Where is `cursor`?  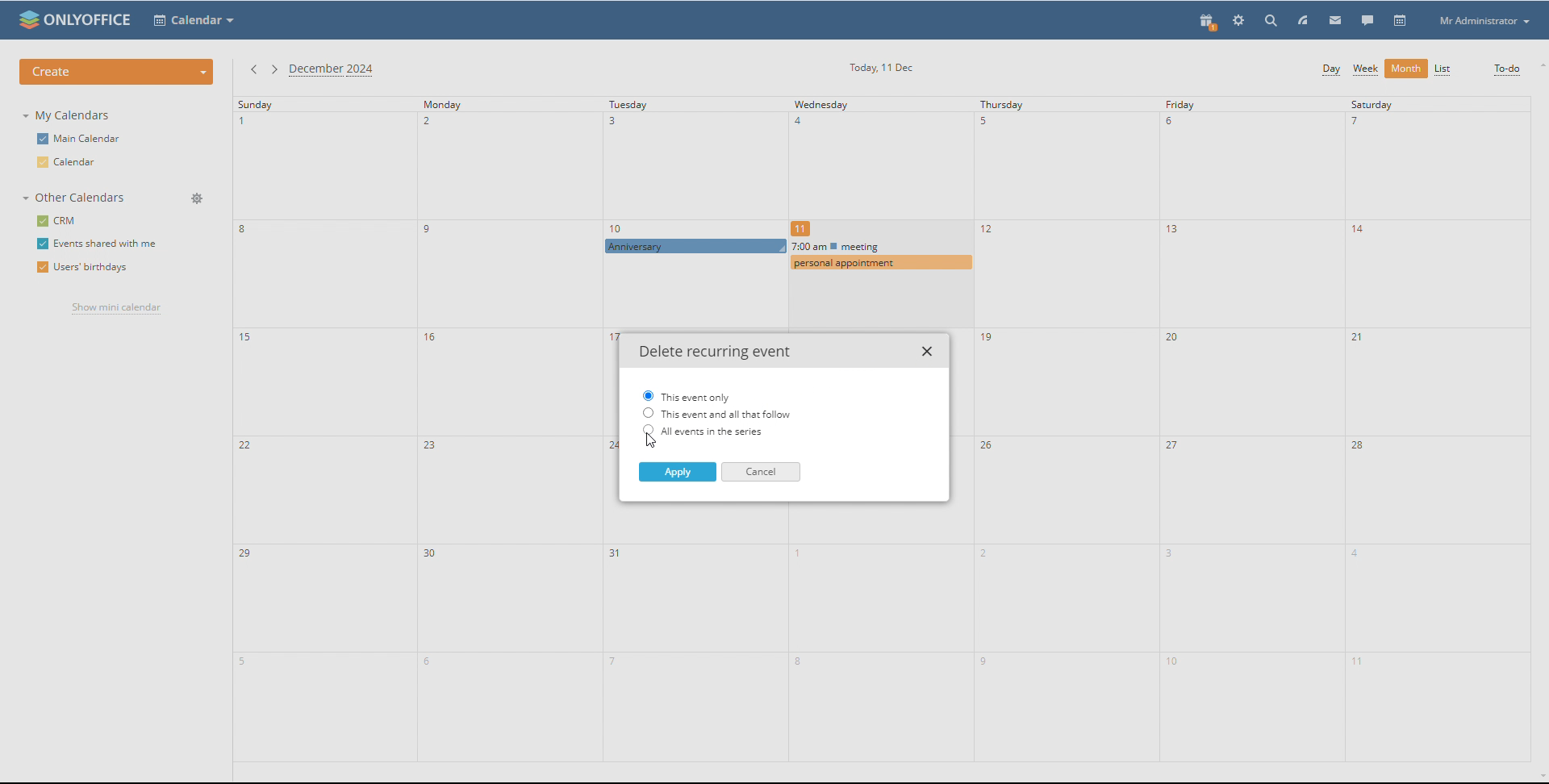
cursor is located at coordinates (658, 255).